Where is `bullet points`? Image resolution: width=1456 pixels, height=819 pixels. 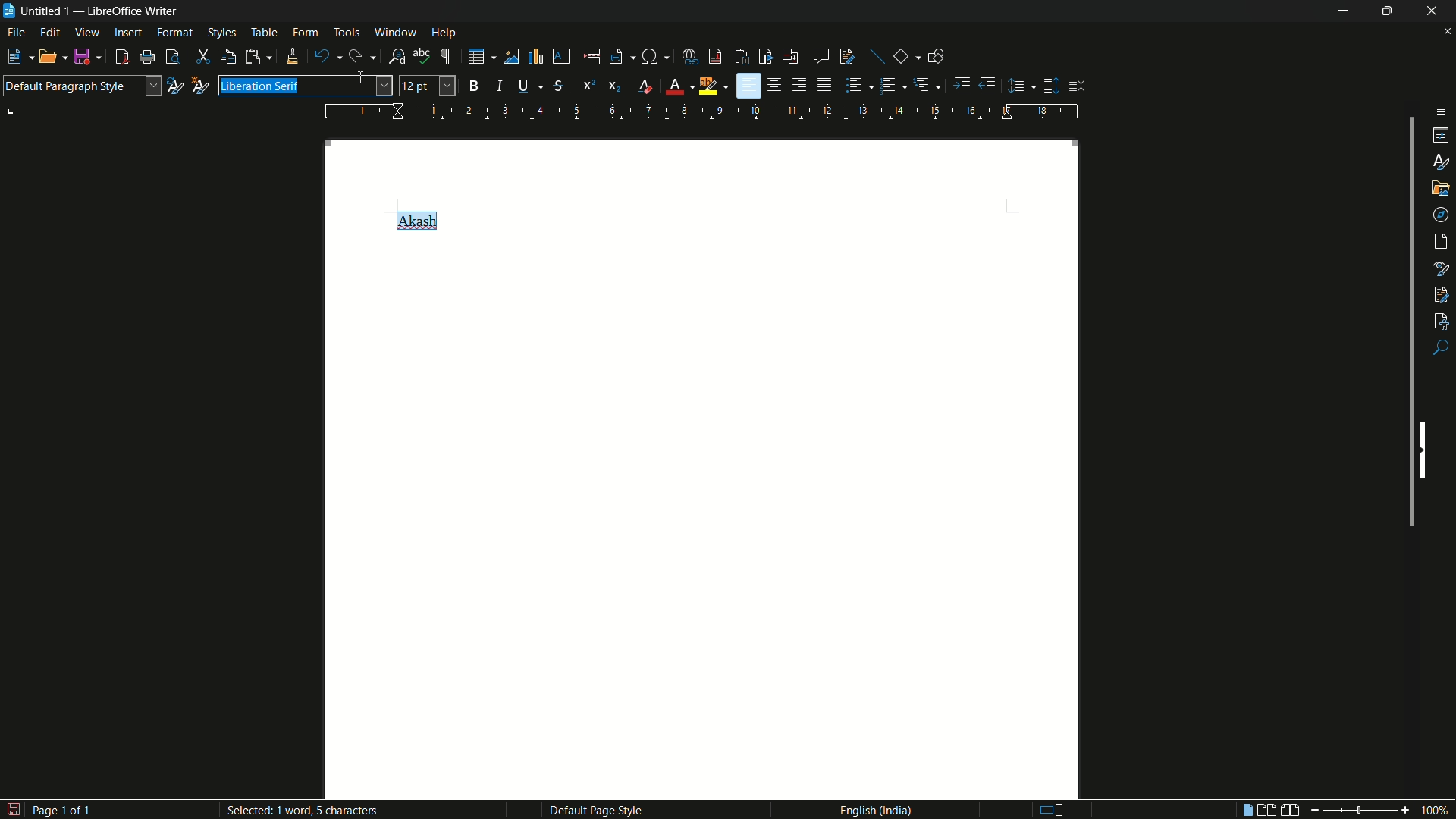 bullet points is located at coordinates (855, 86).